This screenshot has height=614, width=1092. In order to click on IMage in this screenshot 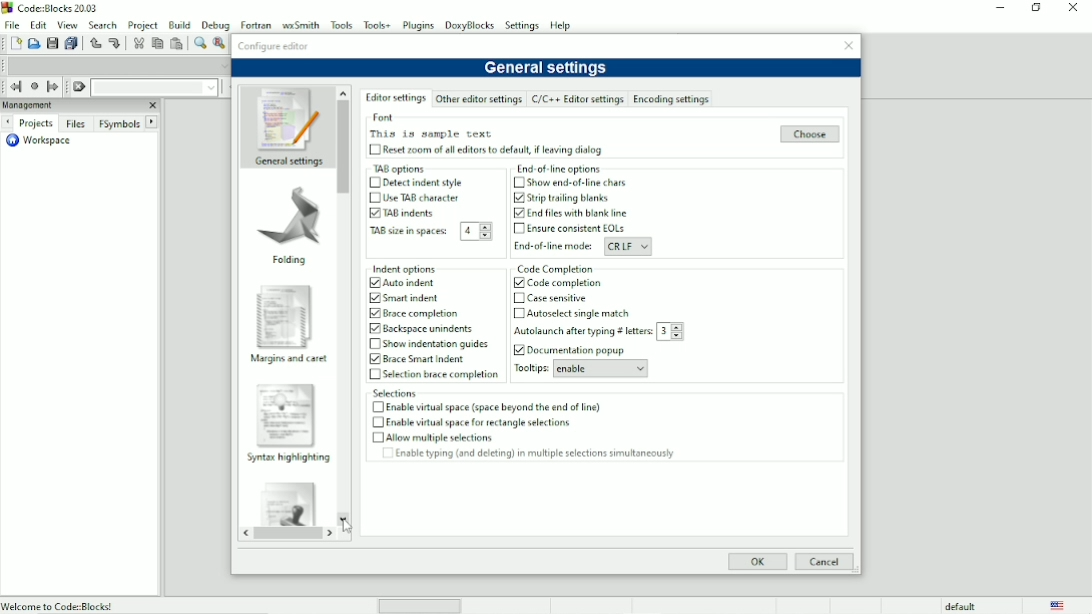, I will do `click(286, 502)`.